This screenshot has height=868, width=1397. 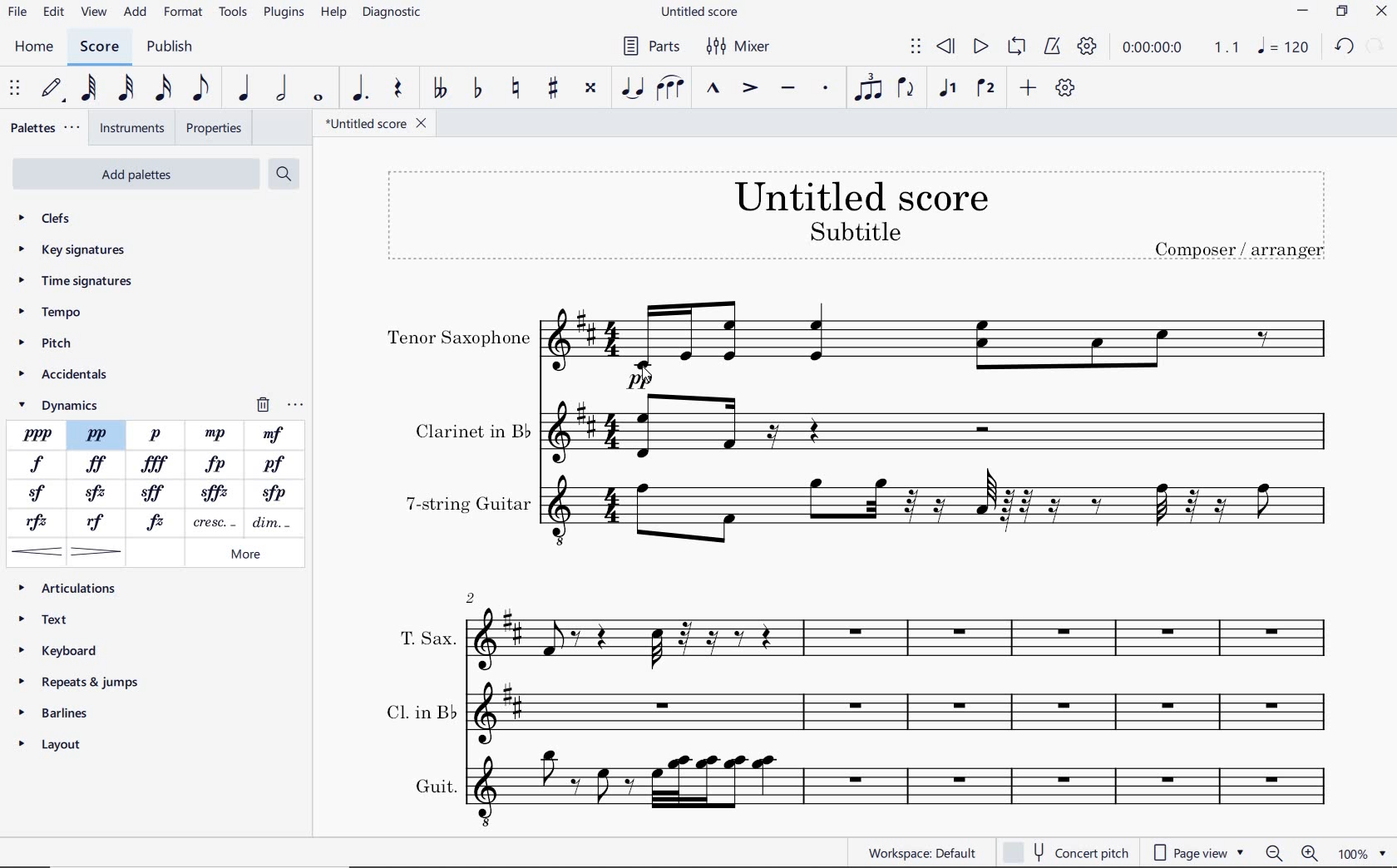 What do you see at coordinates (477, 87) in the screenshot?
I see `TOGGLE FLAT` at bounding box center [477, 87].